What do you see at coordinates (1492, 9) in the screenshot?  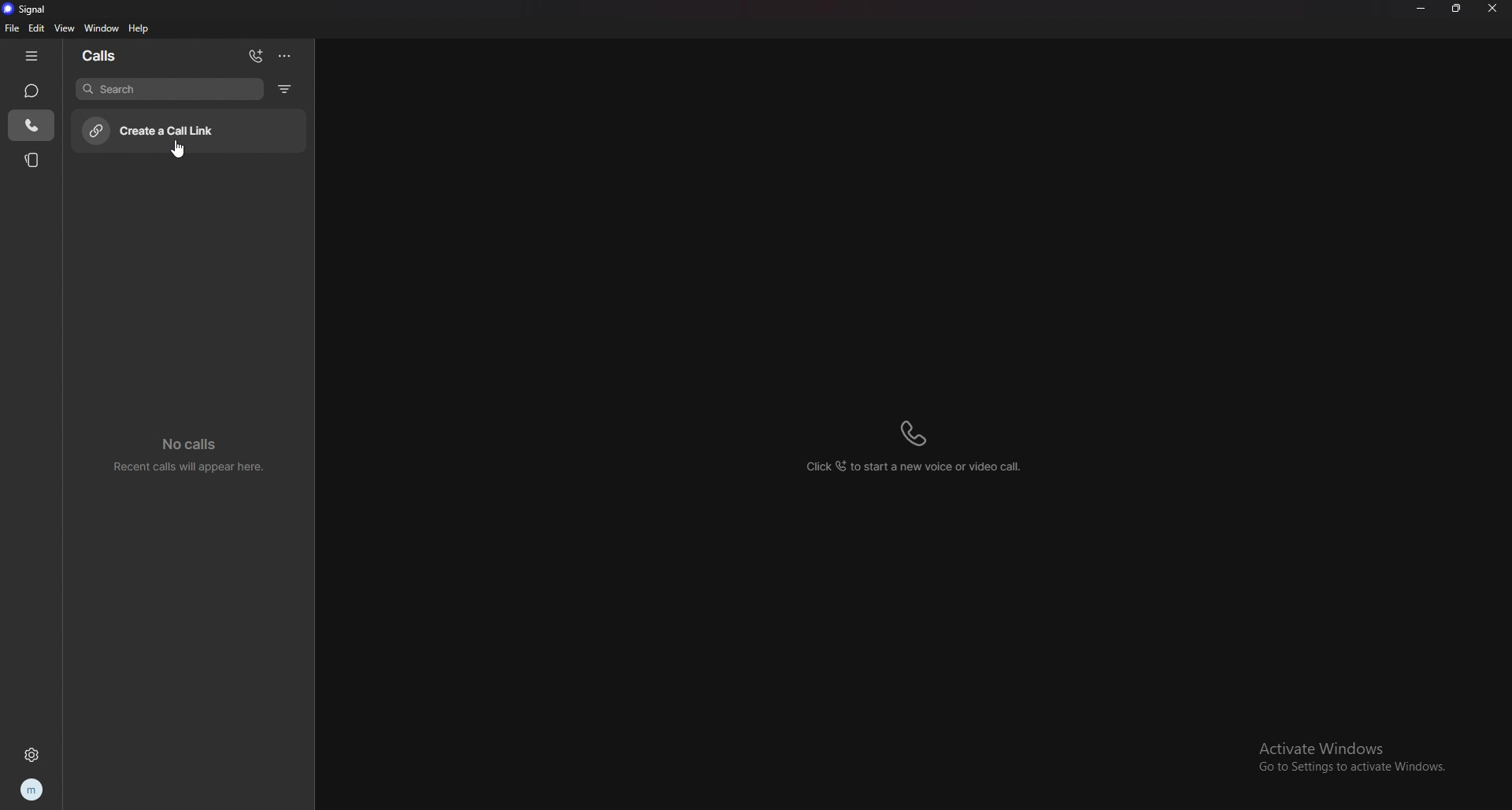 I see `close` at bounding box center [1492, 9].